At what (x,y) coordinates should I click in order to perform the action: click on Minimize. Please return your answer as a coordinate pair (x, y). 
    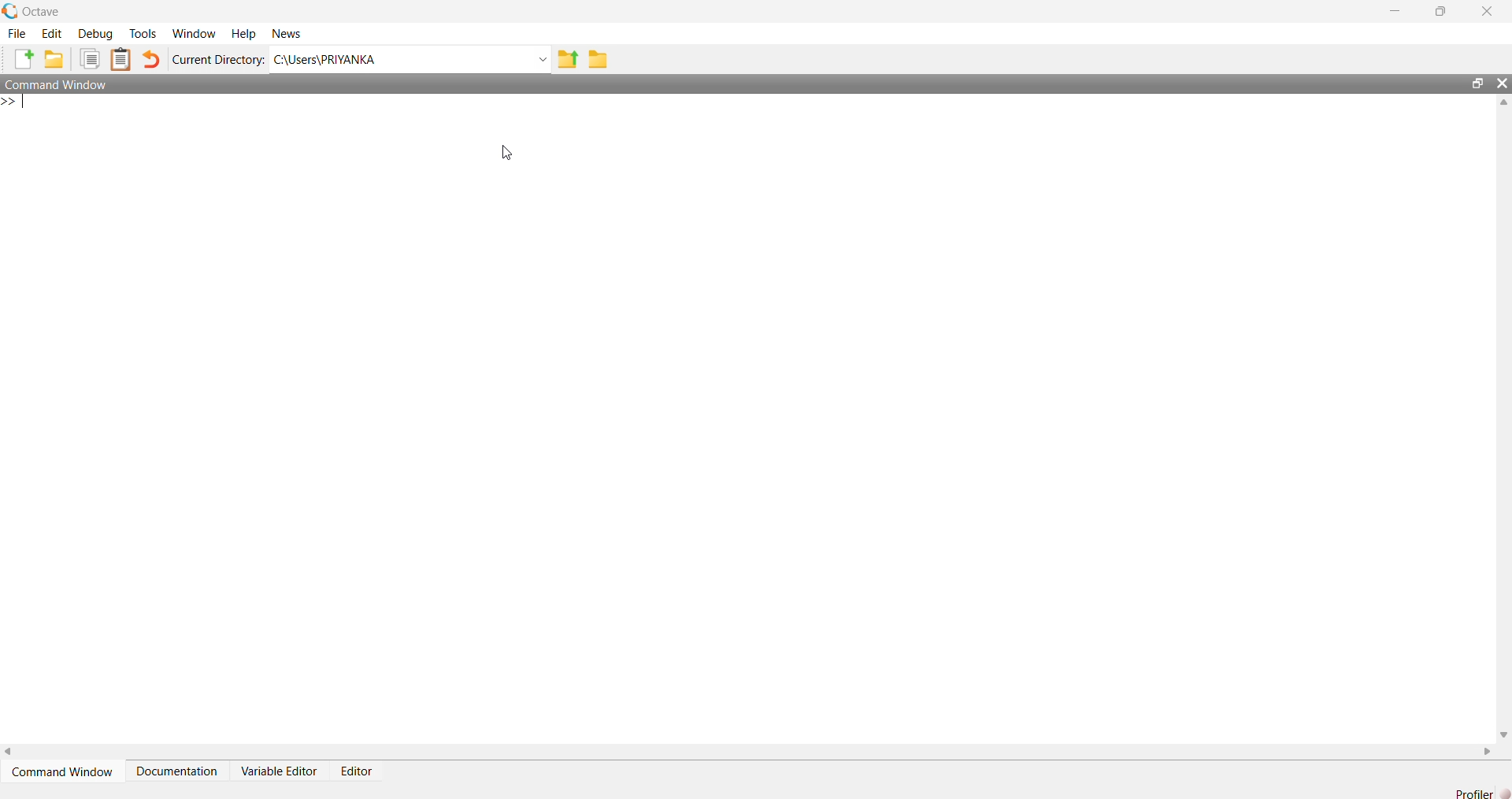
    Looking at the image, I should click on (1394, 11).